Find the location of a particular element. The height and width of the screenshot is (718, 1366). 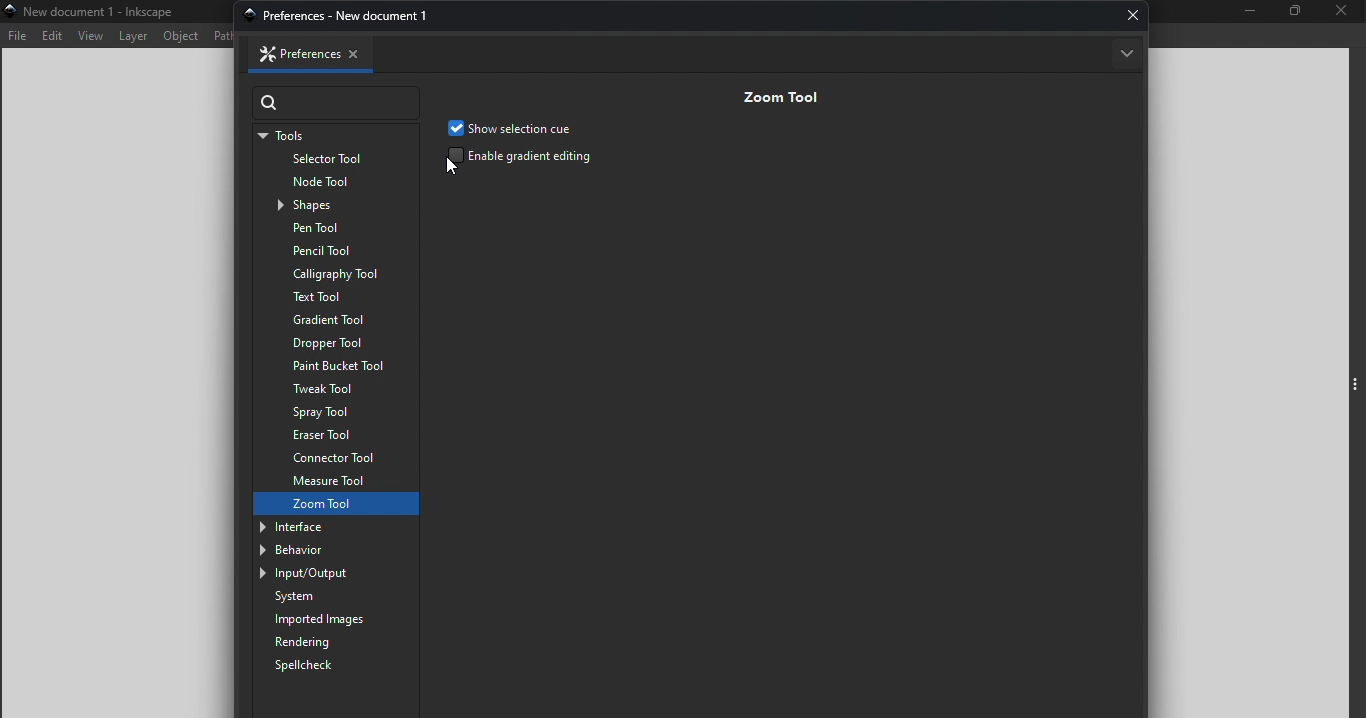

Shapes is located at coordinates (310, 205).